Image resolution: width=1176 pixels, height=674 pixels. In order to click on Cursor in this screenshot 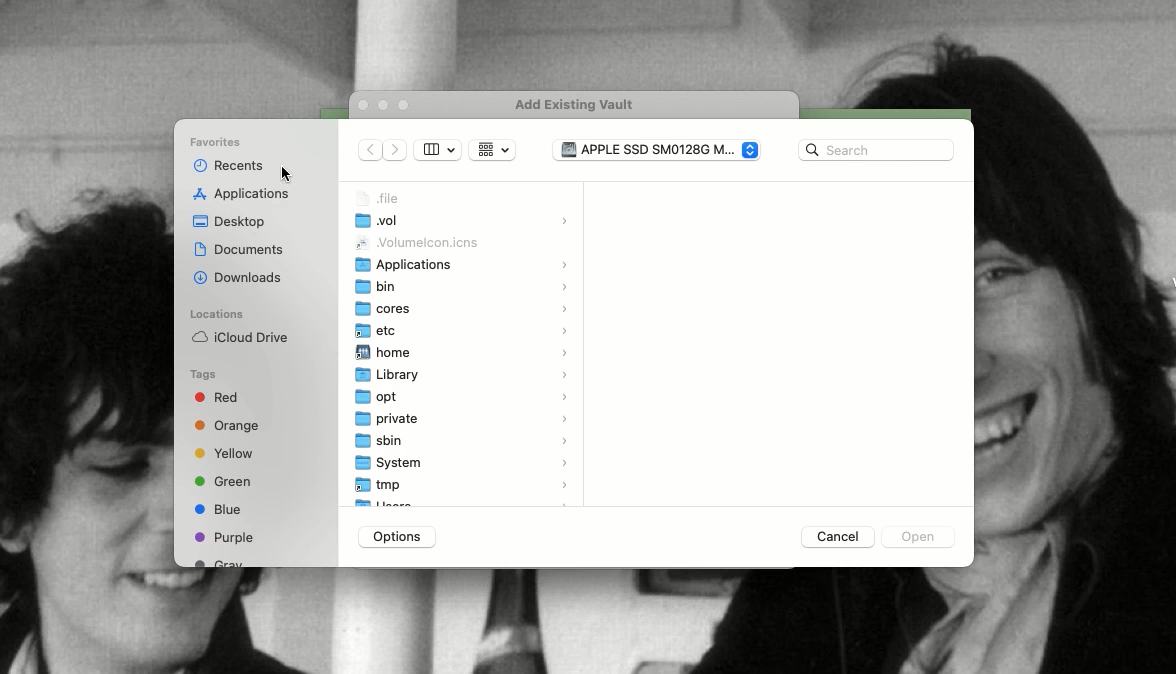, I will do `click(287, 173)`.